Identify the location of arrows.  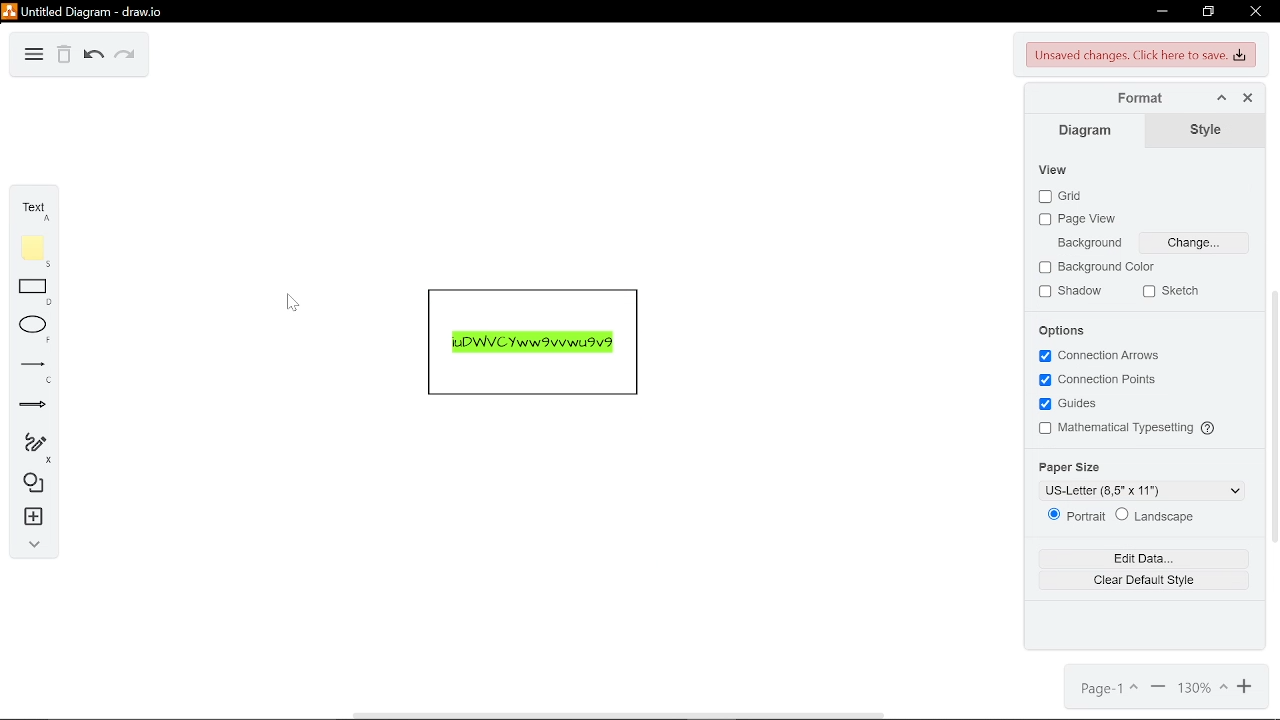
(27, 404).